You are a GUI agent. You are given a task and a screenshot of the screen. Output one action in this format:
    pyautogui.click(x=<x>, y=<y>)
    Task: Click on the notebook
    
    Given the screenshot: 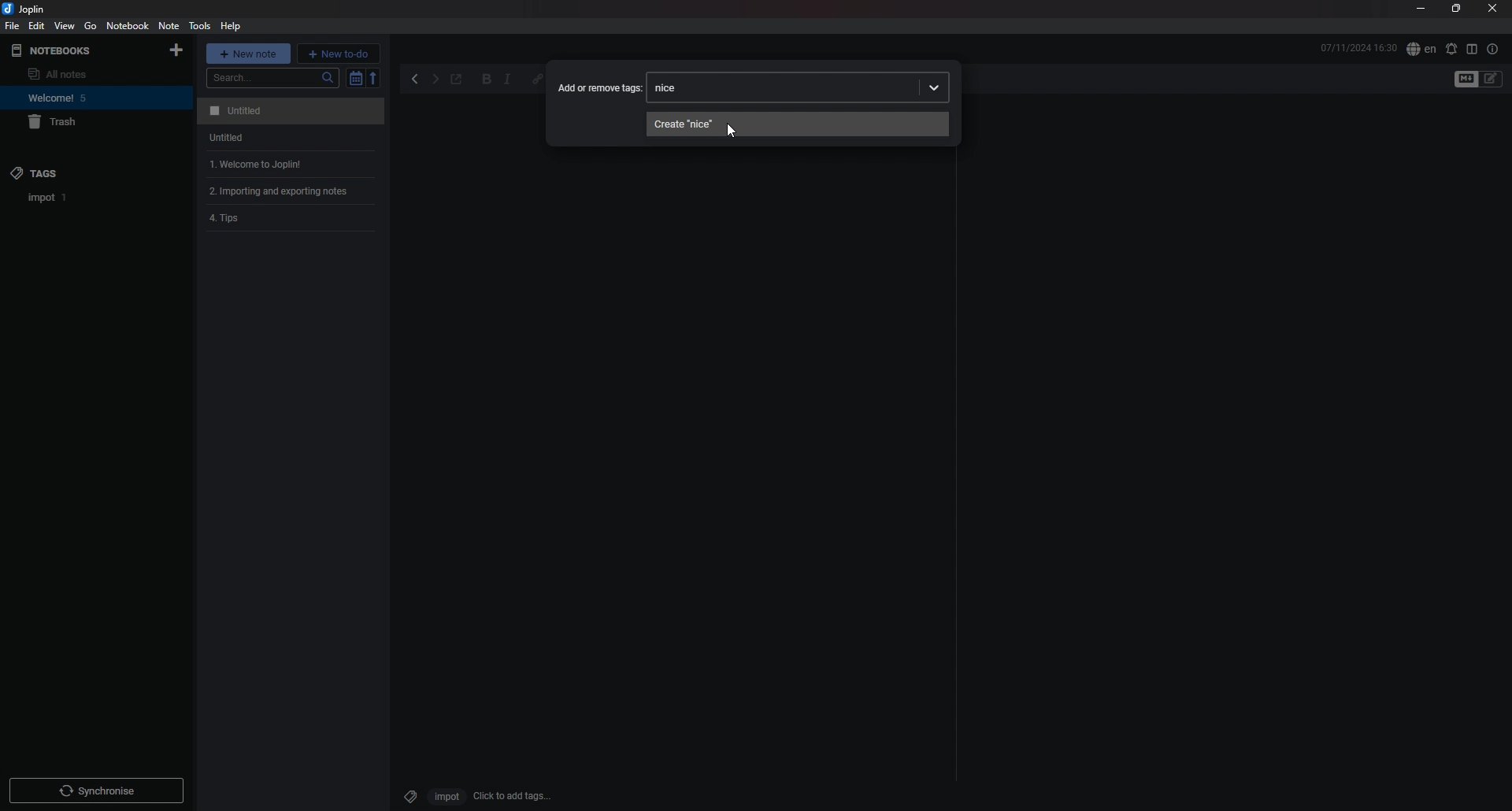 What is the action you would take?
    pyautogui.click(x=128, y=26)
    